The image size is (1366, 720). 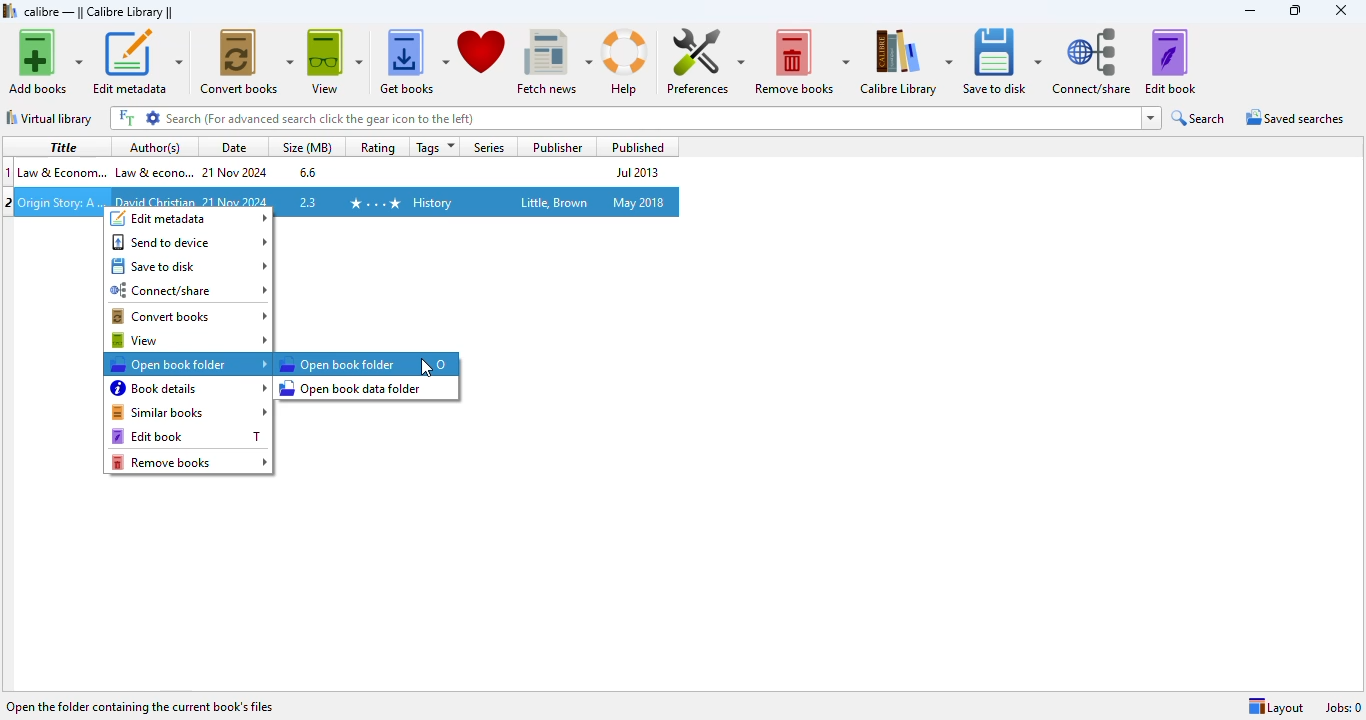 I want to click on connect/share, so click(x=190, y=291).